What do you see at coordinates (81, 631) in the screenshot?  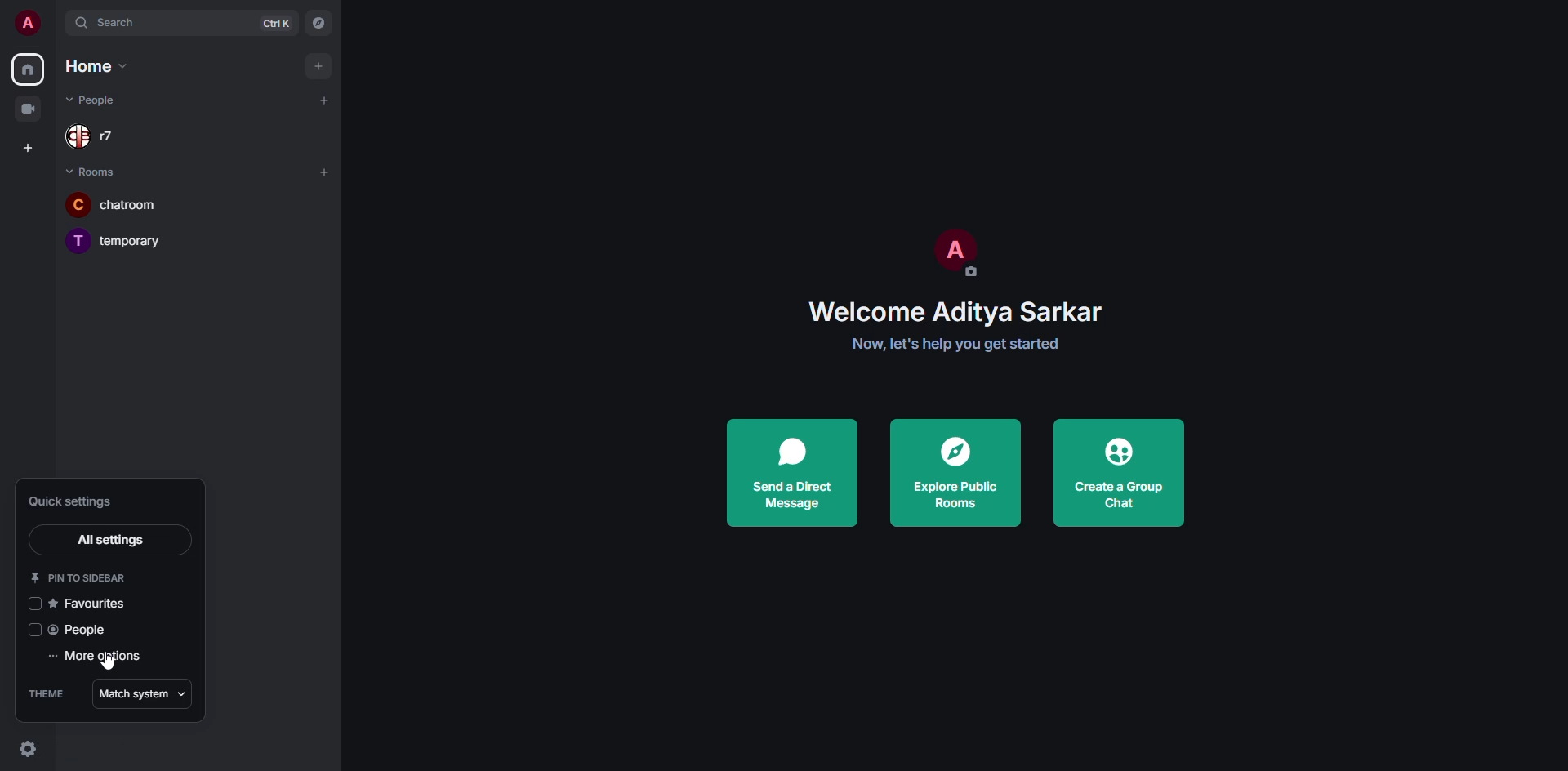 I see `people` at bounding box center [81, 631].